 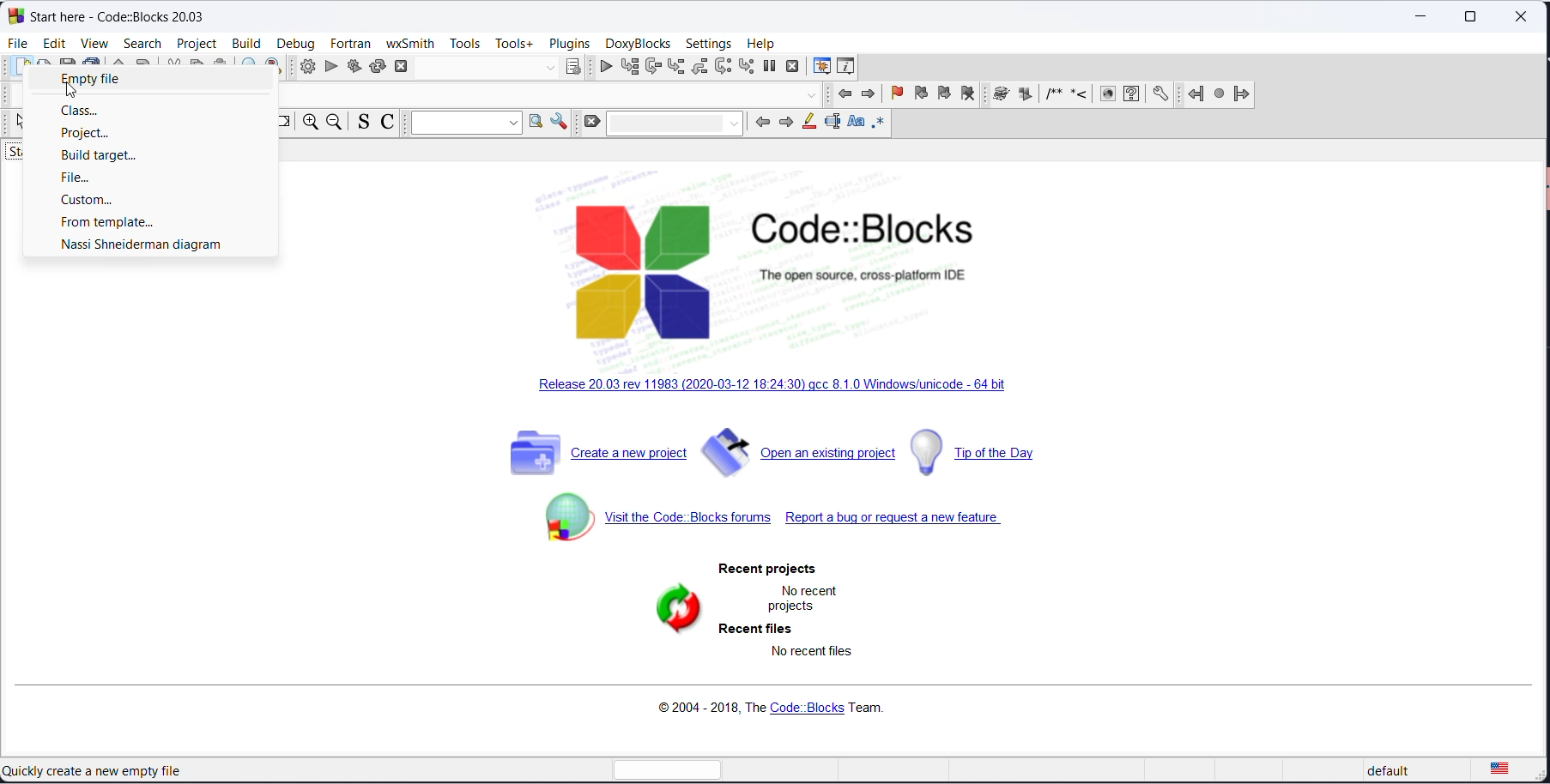 What do you see at coordinates (787, 123) in the screenshot?
I see `next` at bounding box center [787, 123].